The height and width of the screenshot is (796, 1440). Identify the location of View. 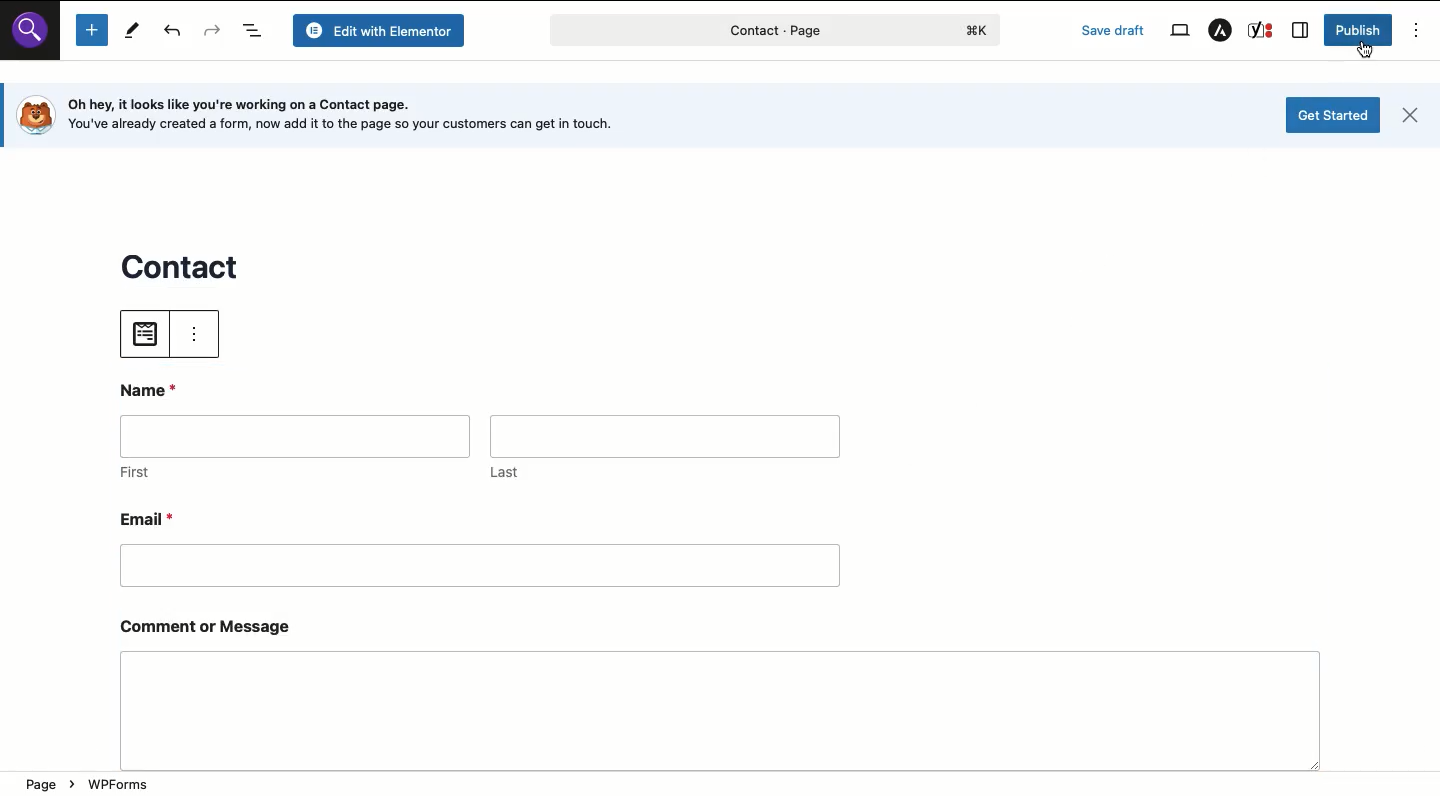
(1178, 29).